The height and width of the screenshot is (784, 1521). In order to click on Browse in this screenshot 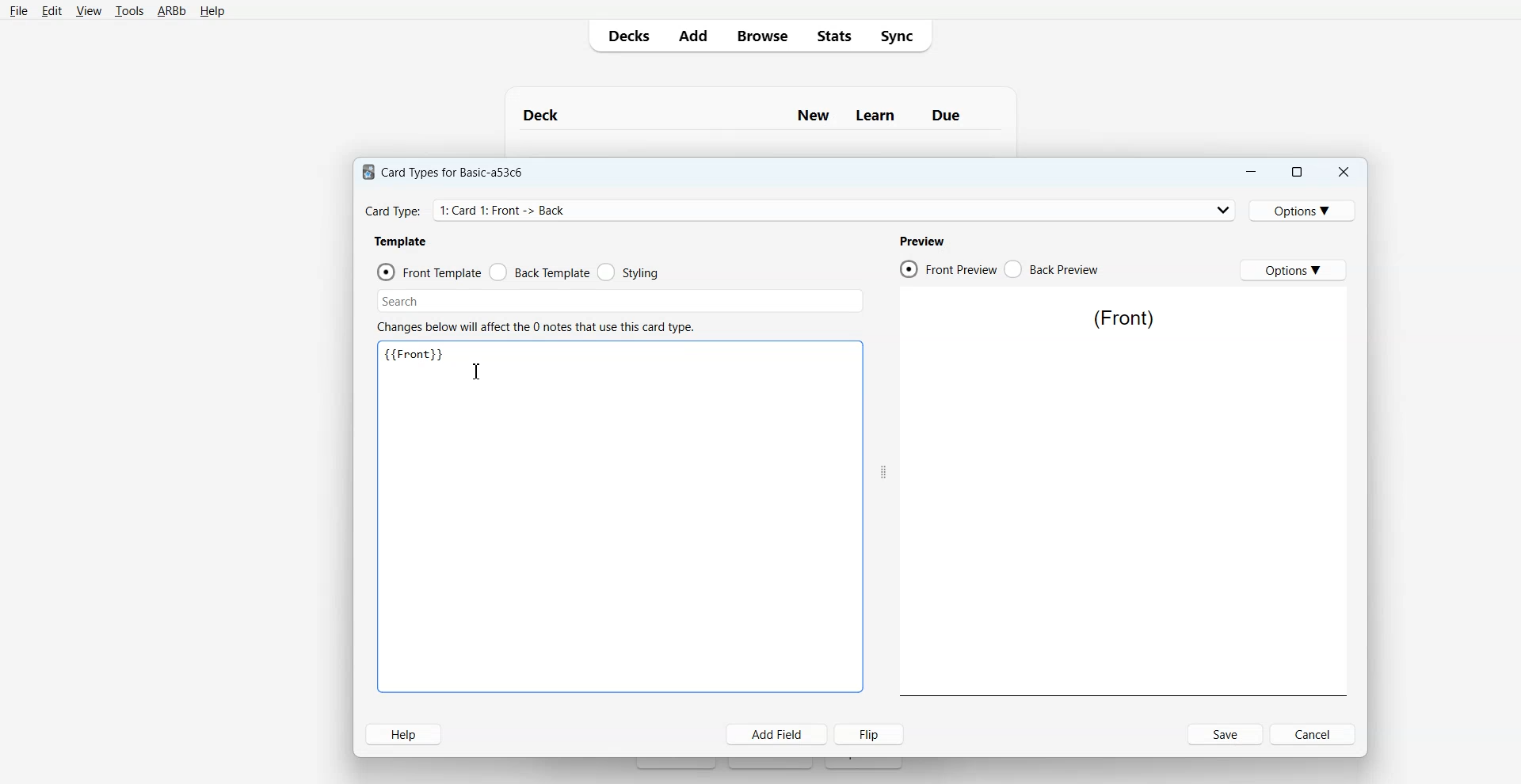, I will do `click(761, 35)`.